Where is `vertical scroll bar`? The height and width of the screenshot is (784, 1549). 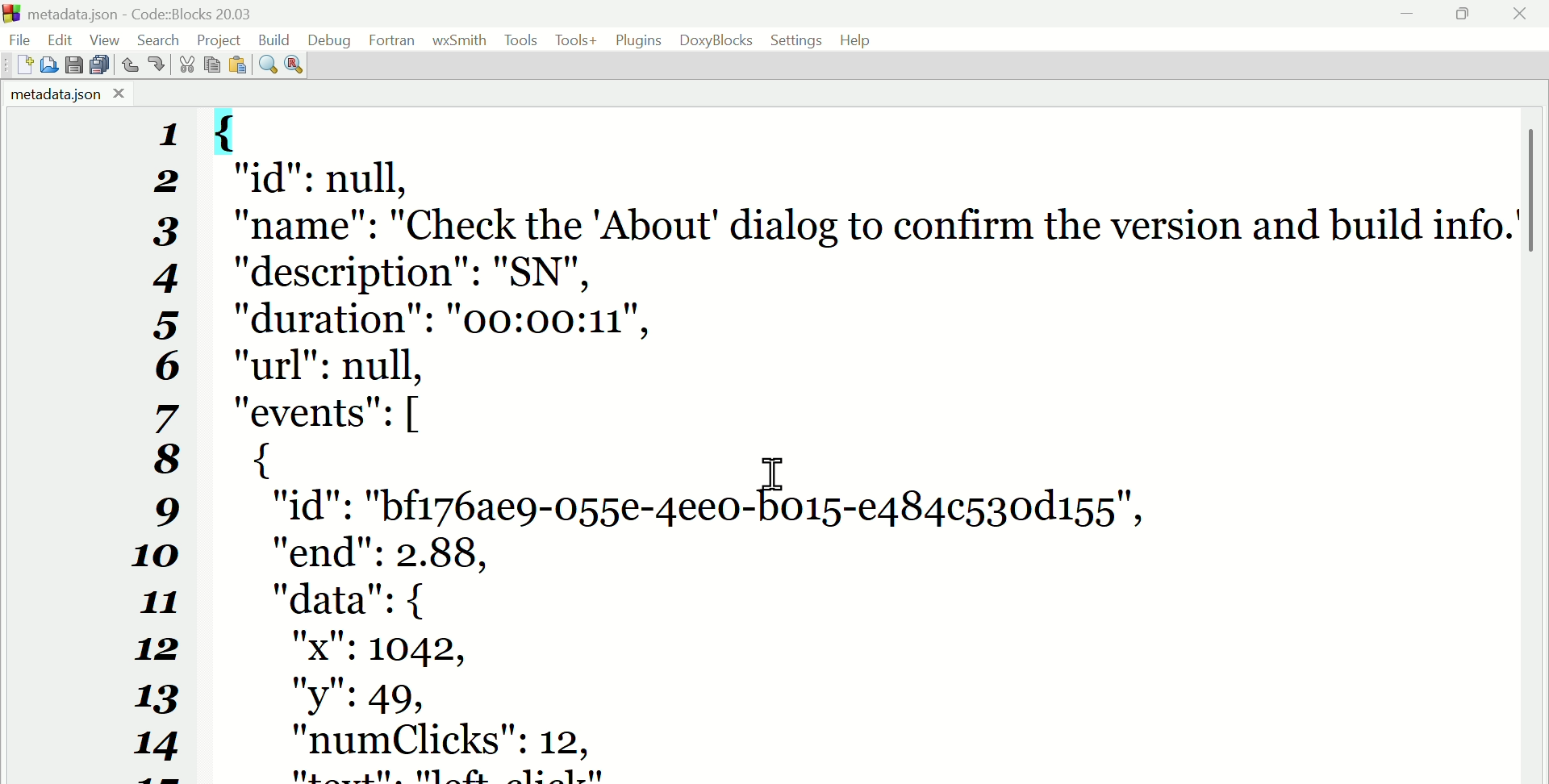 vertical scroll bar is located at coordinates (1534, 277).